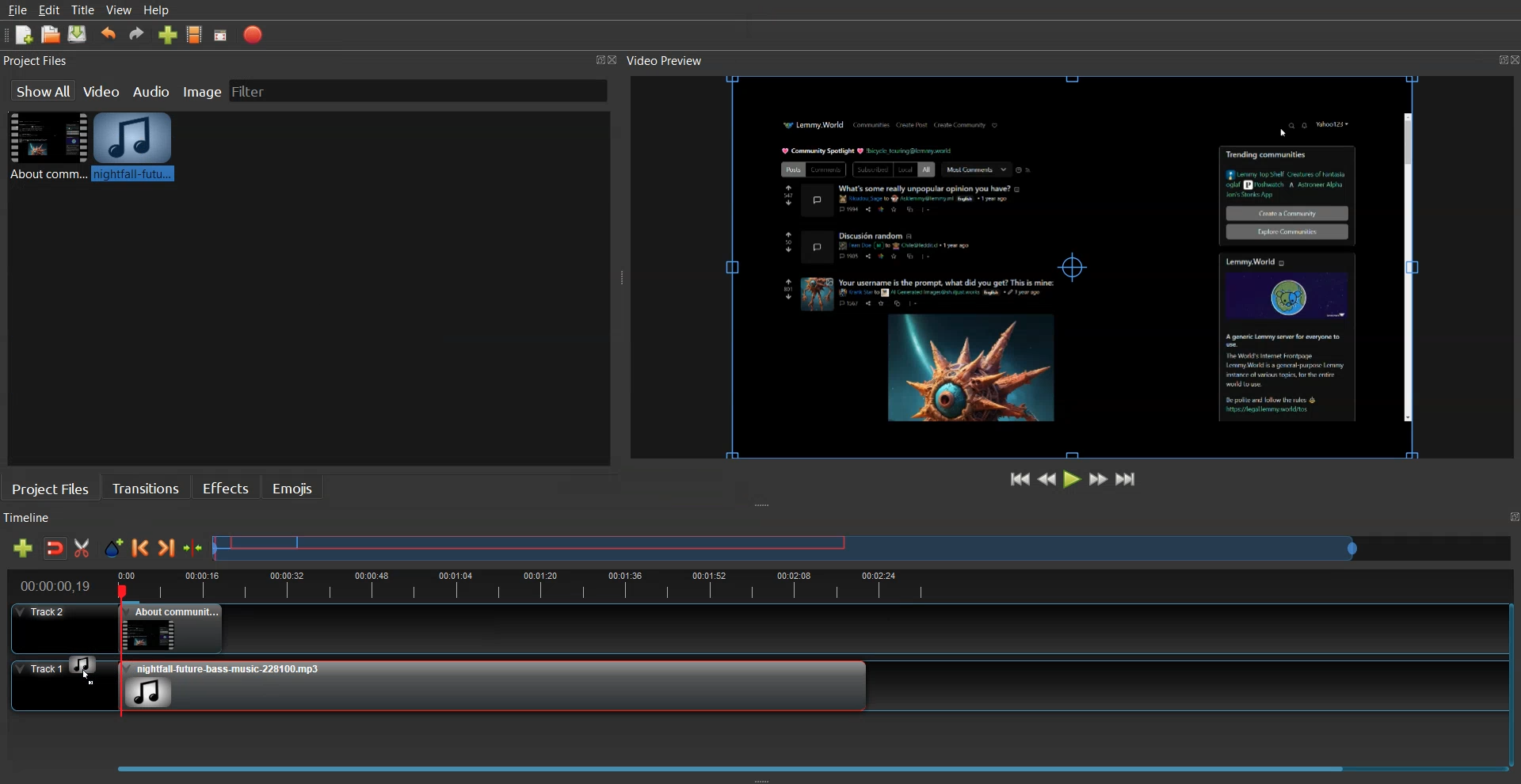 The image size is (1521, 784). I want to click on Saved Project, so click(78, 34).